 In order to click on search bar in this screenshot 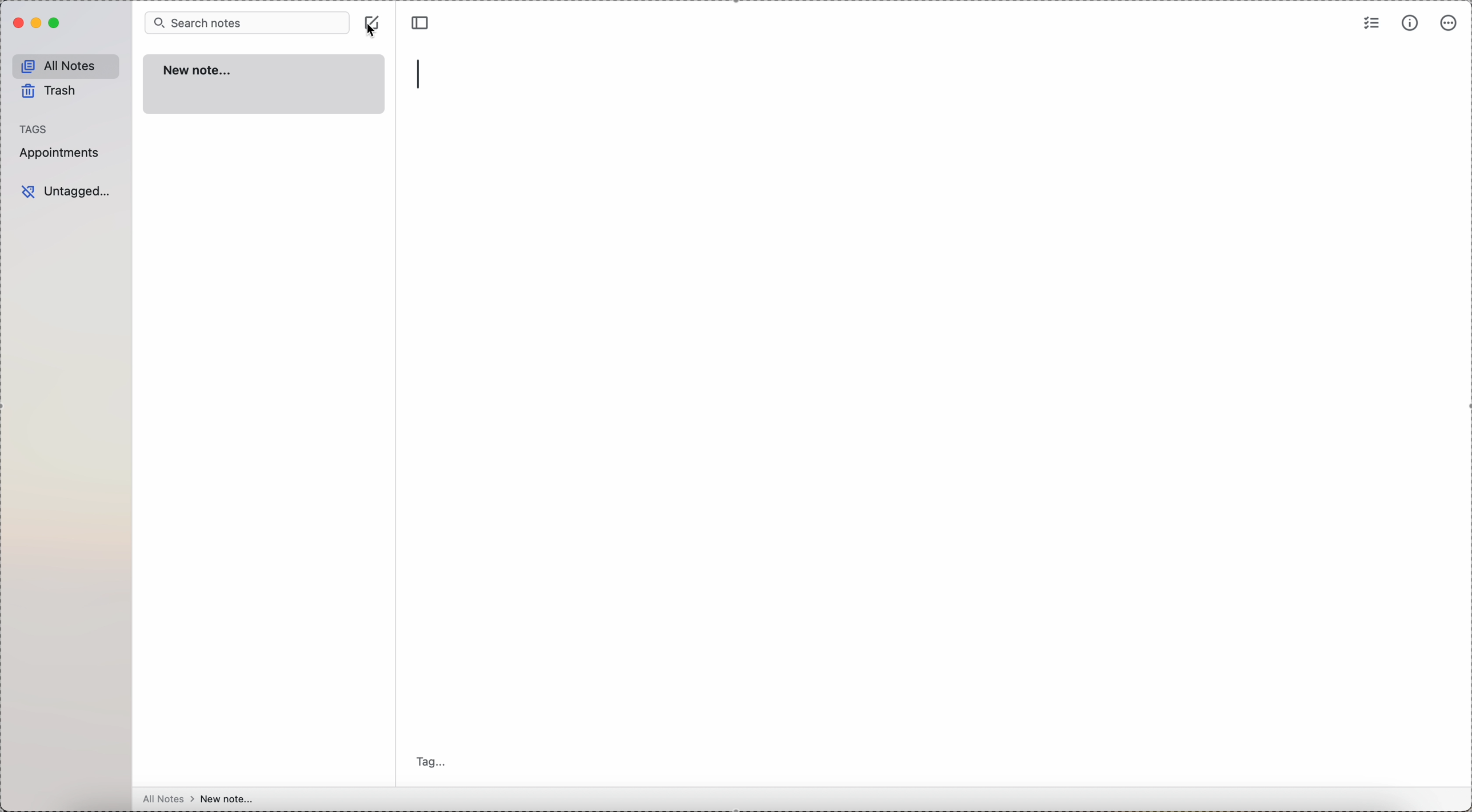, I will do `click(247, 22)`.